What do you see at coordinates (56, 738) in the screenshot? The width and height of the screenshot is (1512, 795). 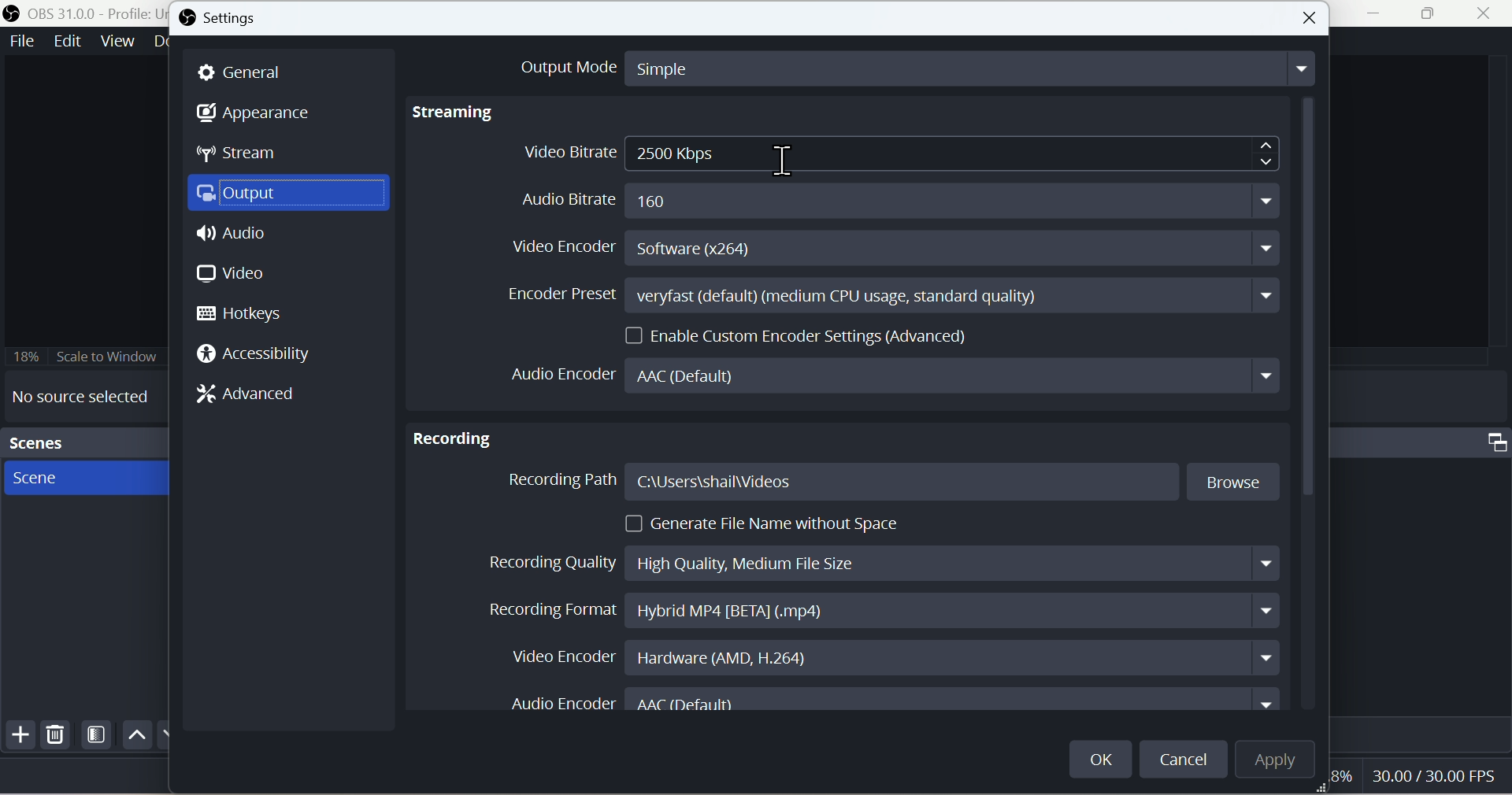 I see `Delete` at bounding box center [56, 738].